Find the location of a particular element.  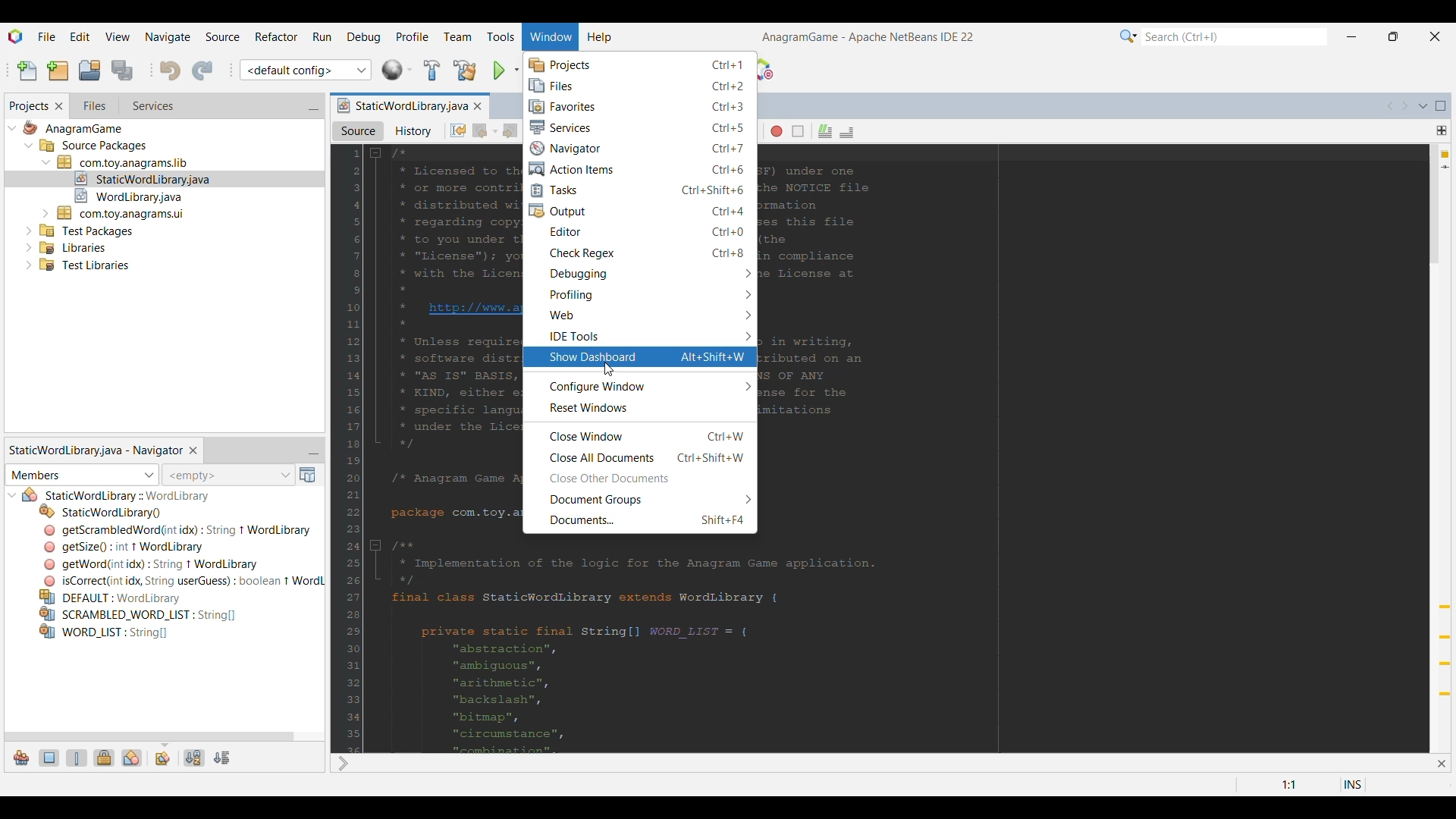

Type in search is located at coordinates (1234, 36).